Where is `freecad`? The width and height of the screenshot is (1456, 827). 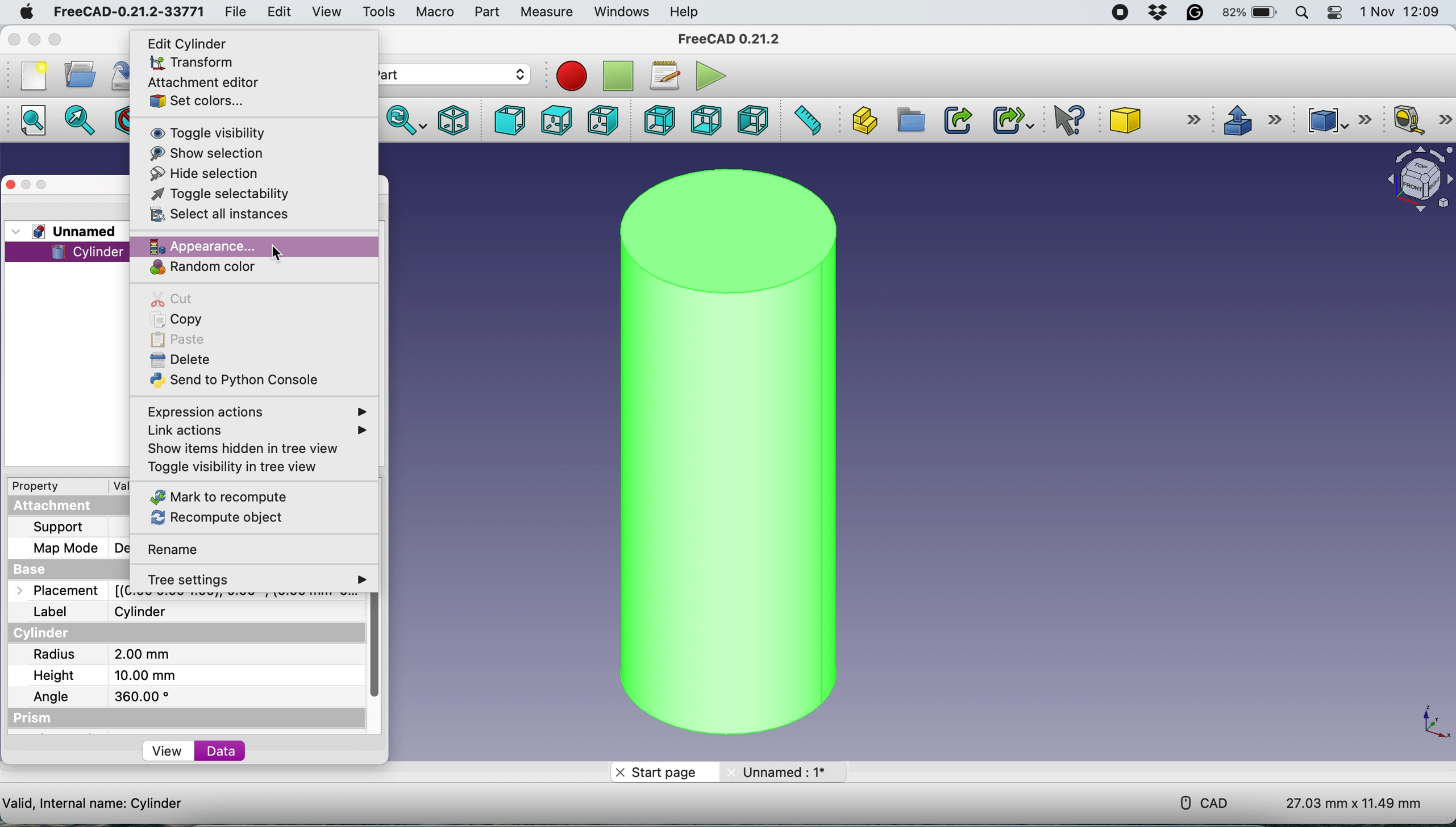
freecad is located at coordinates (729, 36).